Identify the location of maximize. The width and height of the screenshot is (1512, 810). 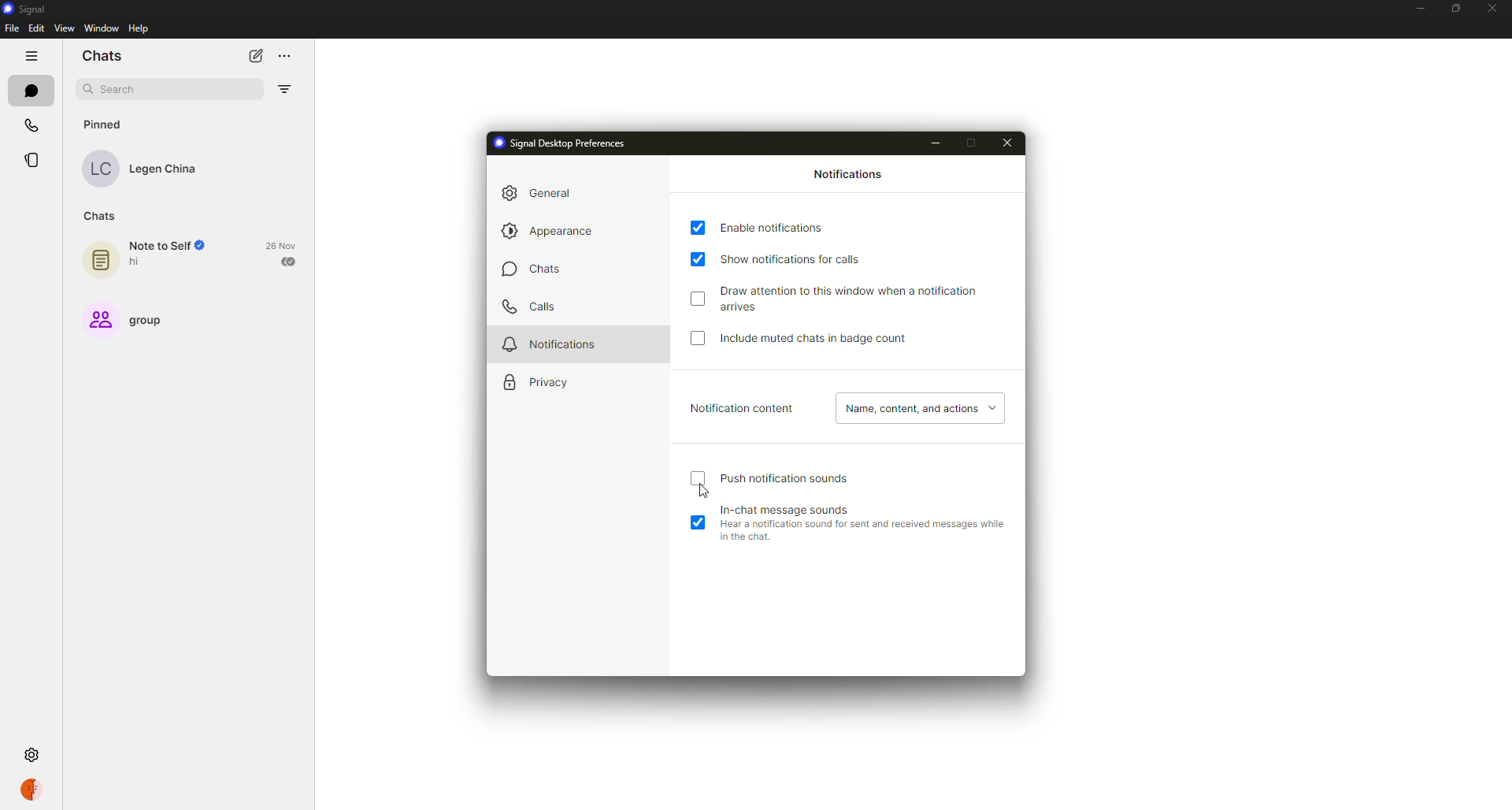
(1458, 6).